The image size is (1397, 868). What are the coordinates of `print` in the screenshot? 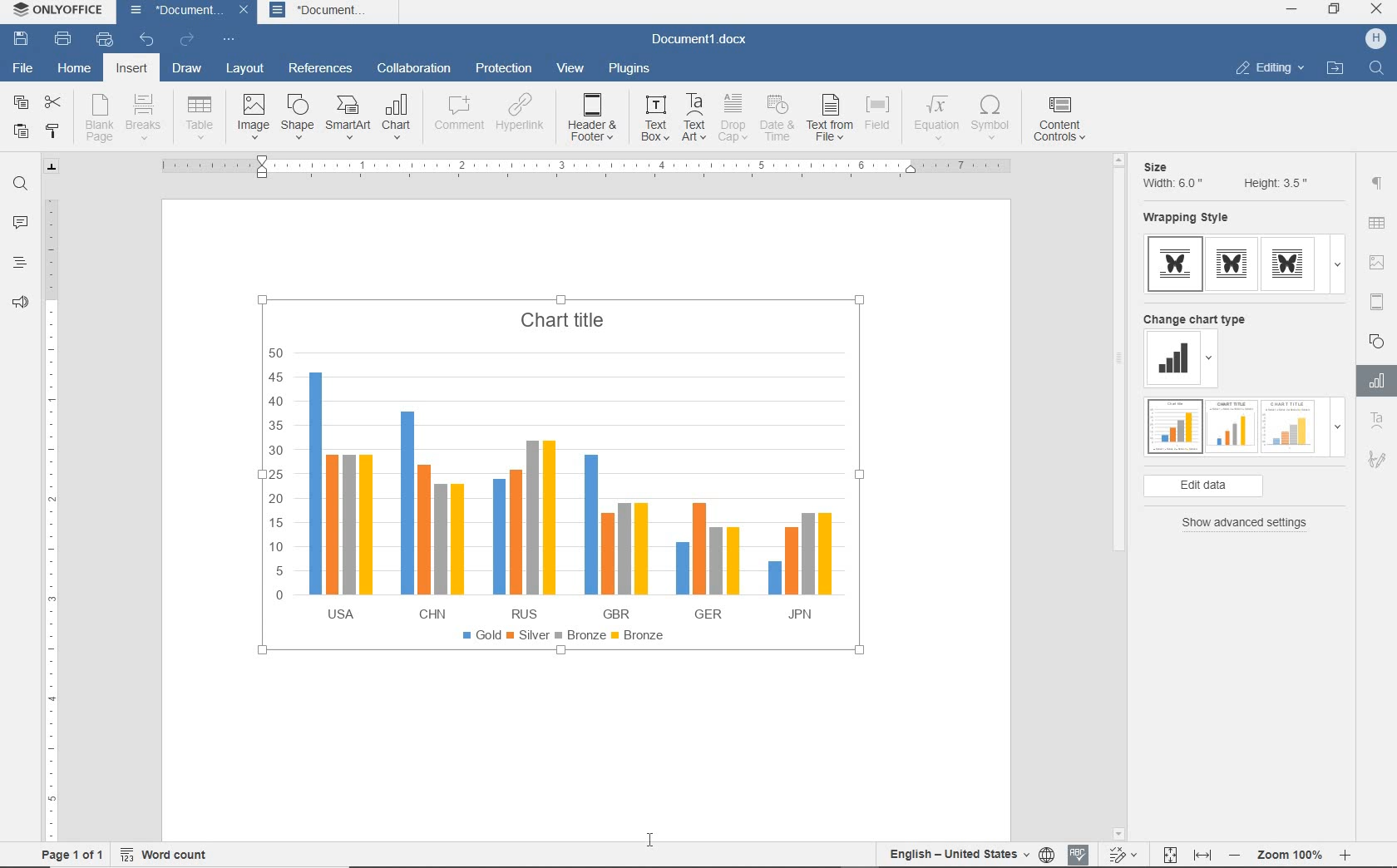 It's located at (62, 40).